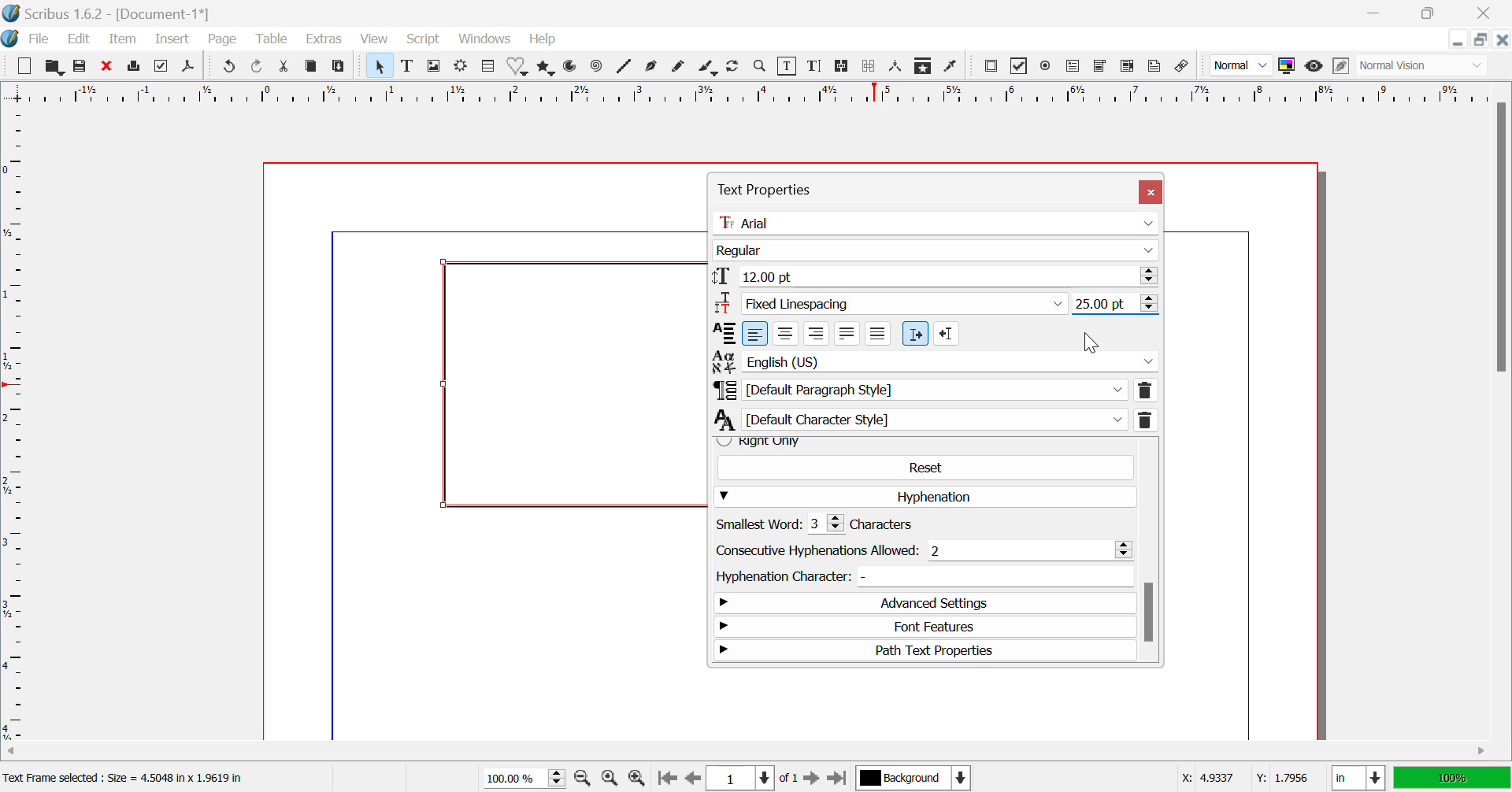 The width and height of the screenshot is (1512, 792). I want to click on Right Only, so click(921, 442).